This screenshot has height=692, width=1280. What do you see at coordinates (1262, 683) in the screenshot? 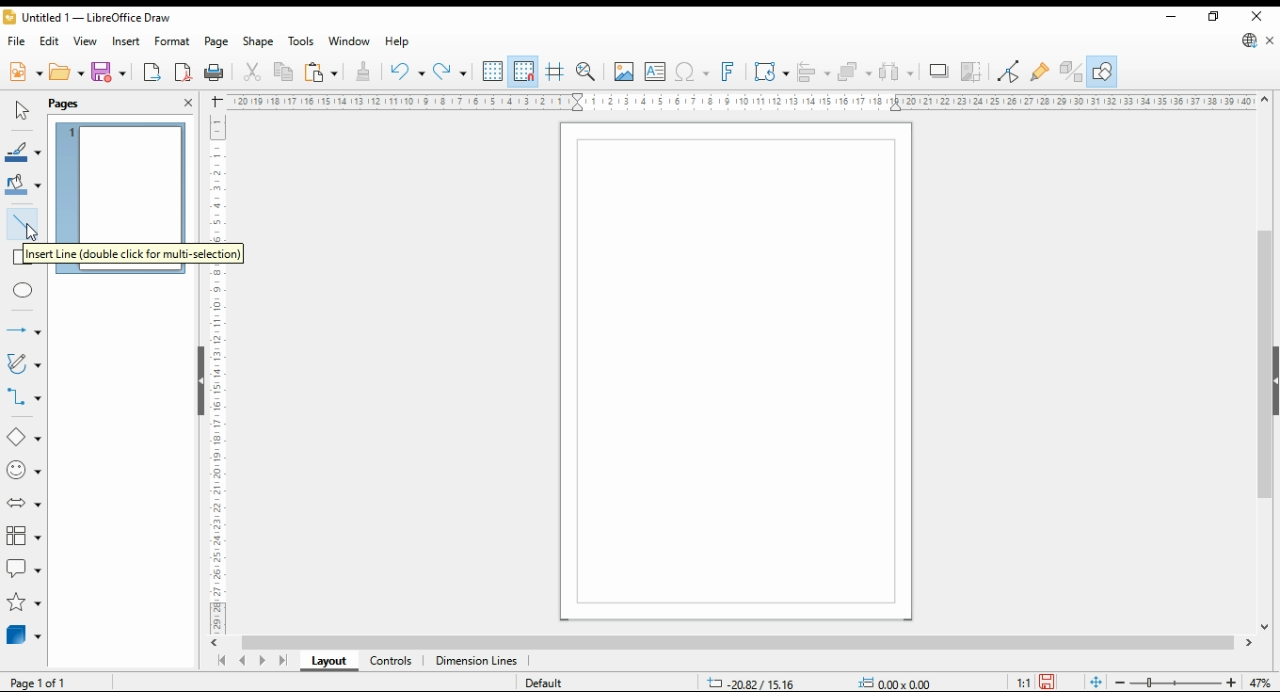
I see `zoom factor` at bounding box center [1262, 683].